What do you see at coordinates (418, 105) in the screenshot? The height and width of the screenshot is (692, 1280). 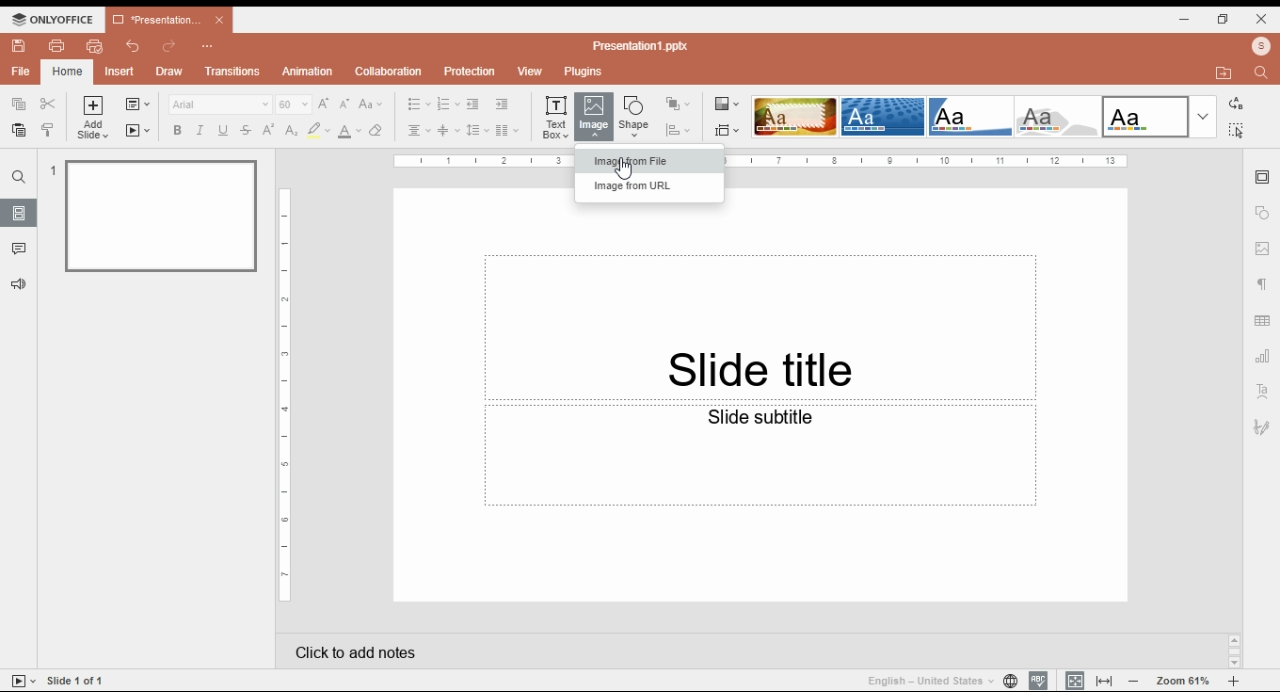 I see `bullets` at bounding box center [418, 105].